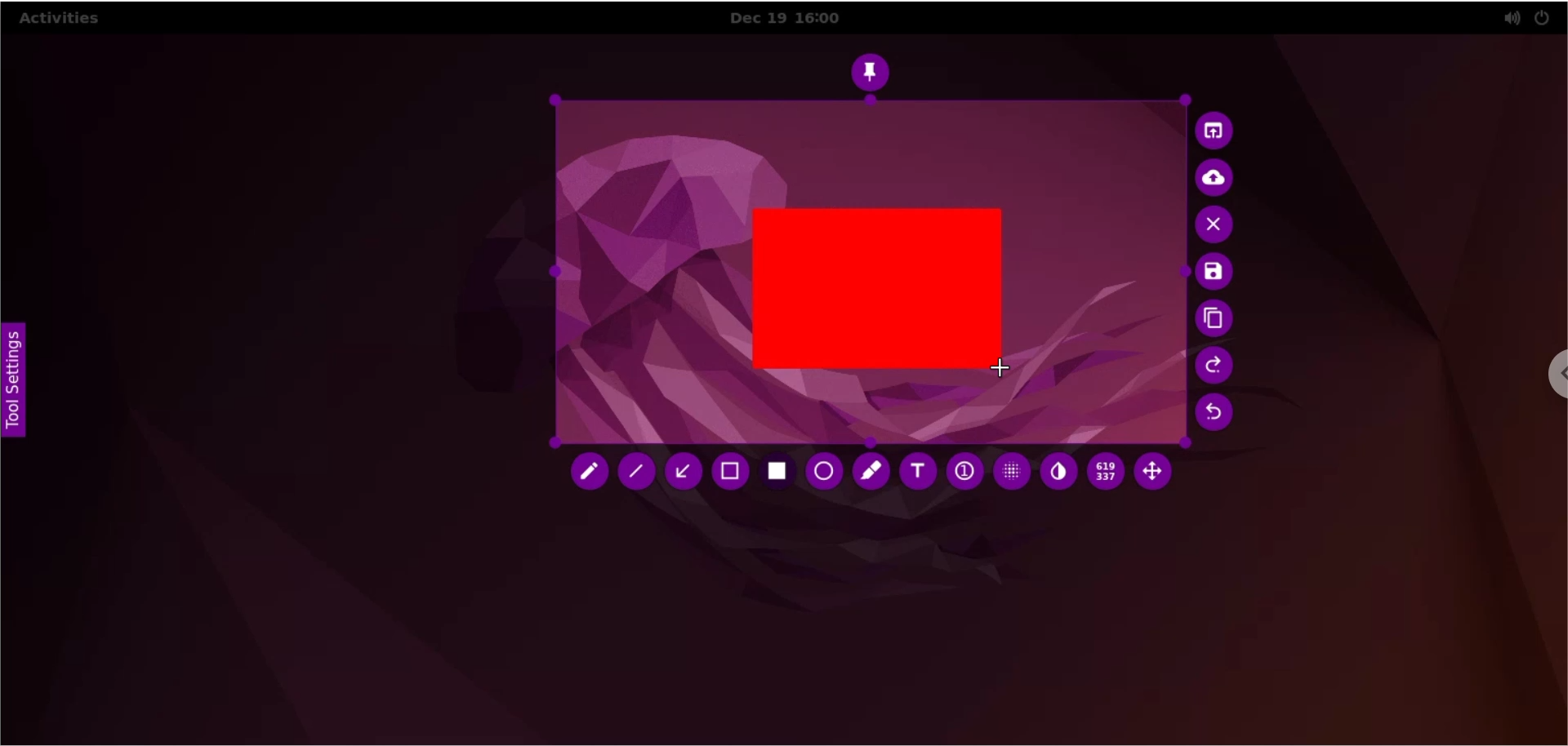 Image resolution: width=1568 pixels, height=746 pixels. What do you see at coordinates (1540, 383) in the screenshot?
I see `chrome options` at bounding box center [1540, 383].